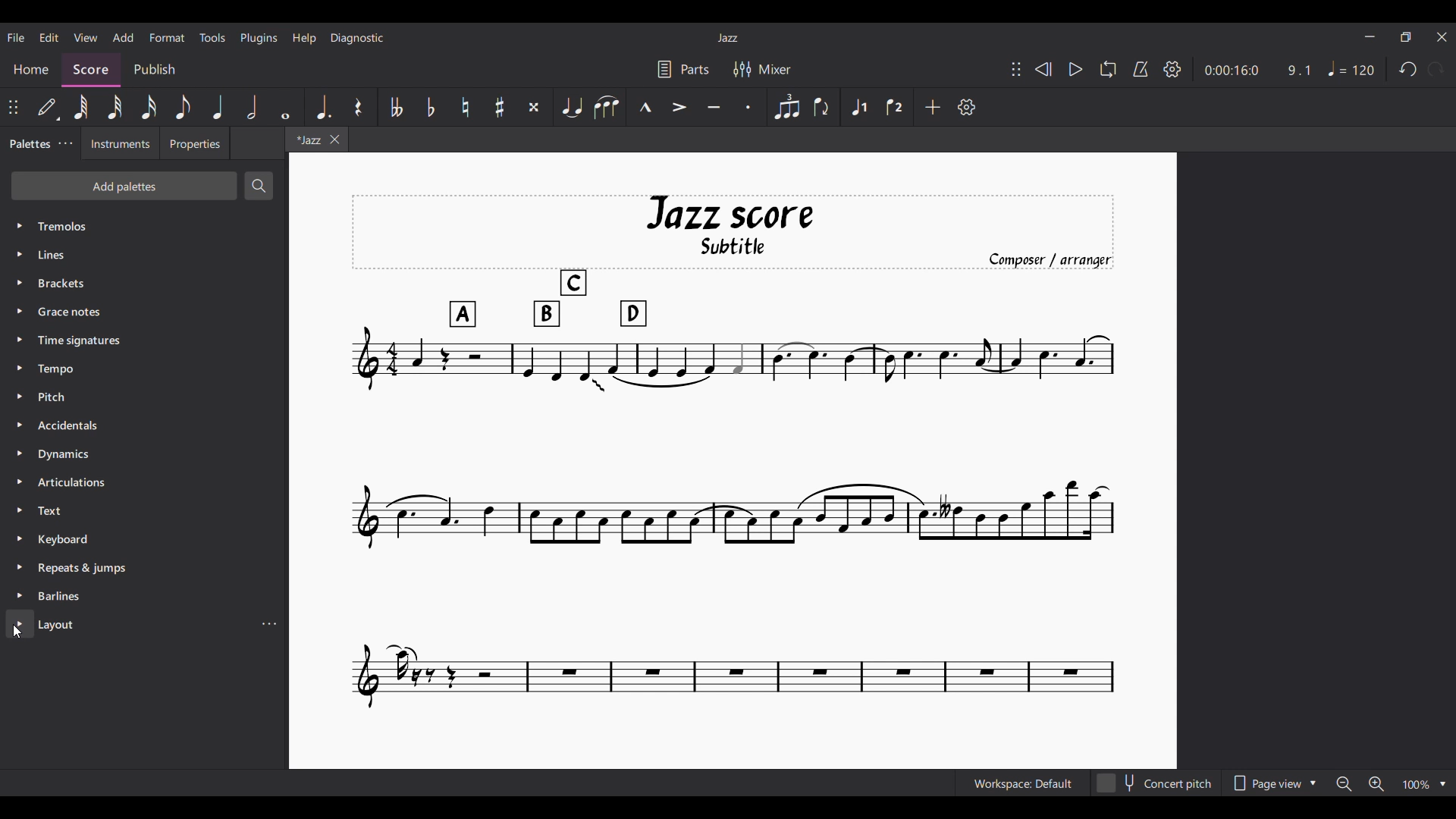 The width and height of the screenshot is (1456, 819). I want to click on Voice 2, so click(894, 107).